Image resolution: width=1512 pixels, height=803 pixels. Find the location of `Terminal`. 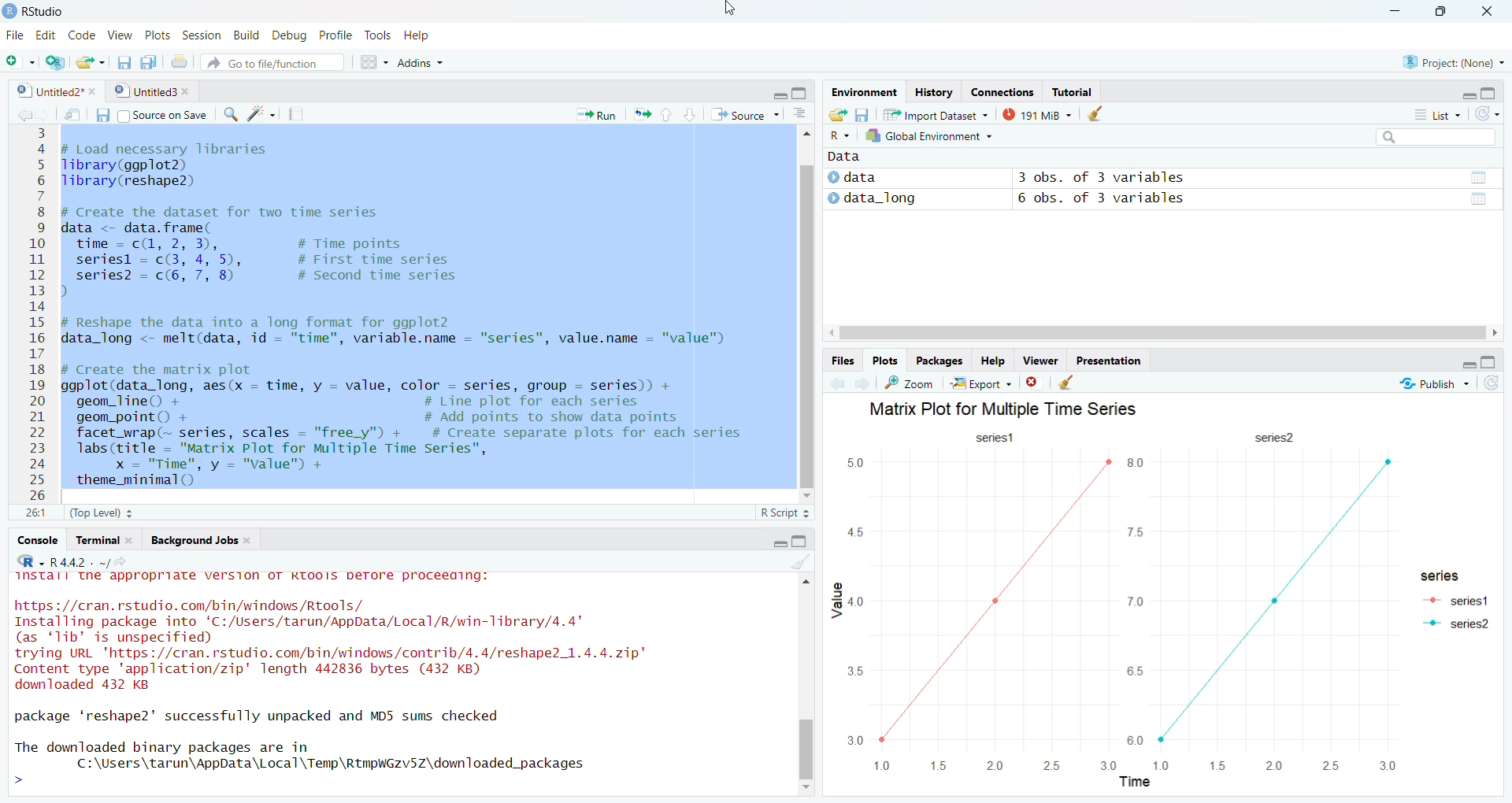

Terminal is located at coordinates (104, 541).